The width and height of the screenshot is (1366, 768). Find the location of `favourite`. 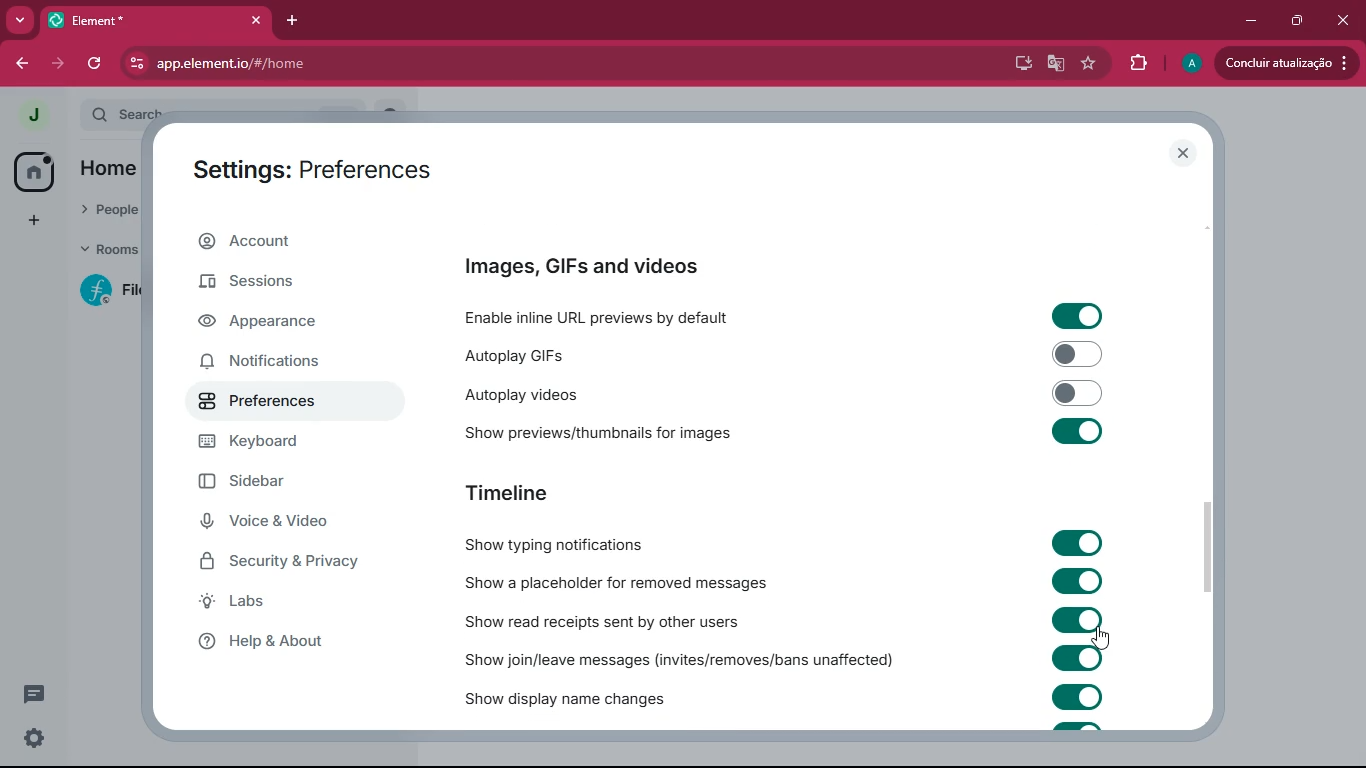

favourite is located at coordinates (1090, 65).